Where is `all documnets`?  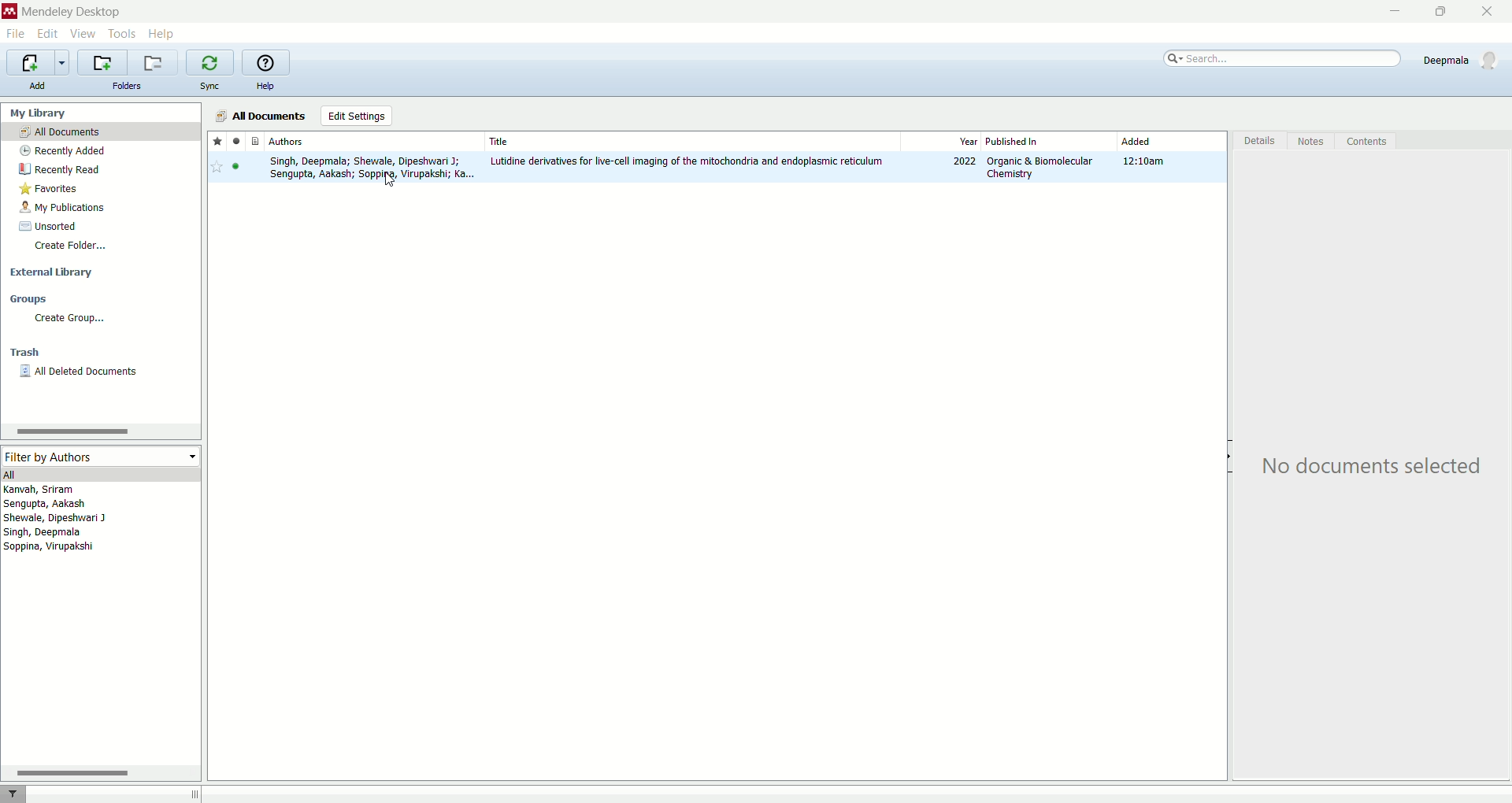 all documnets is located at coordinates (261, 115).